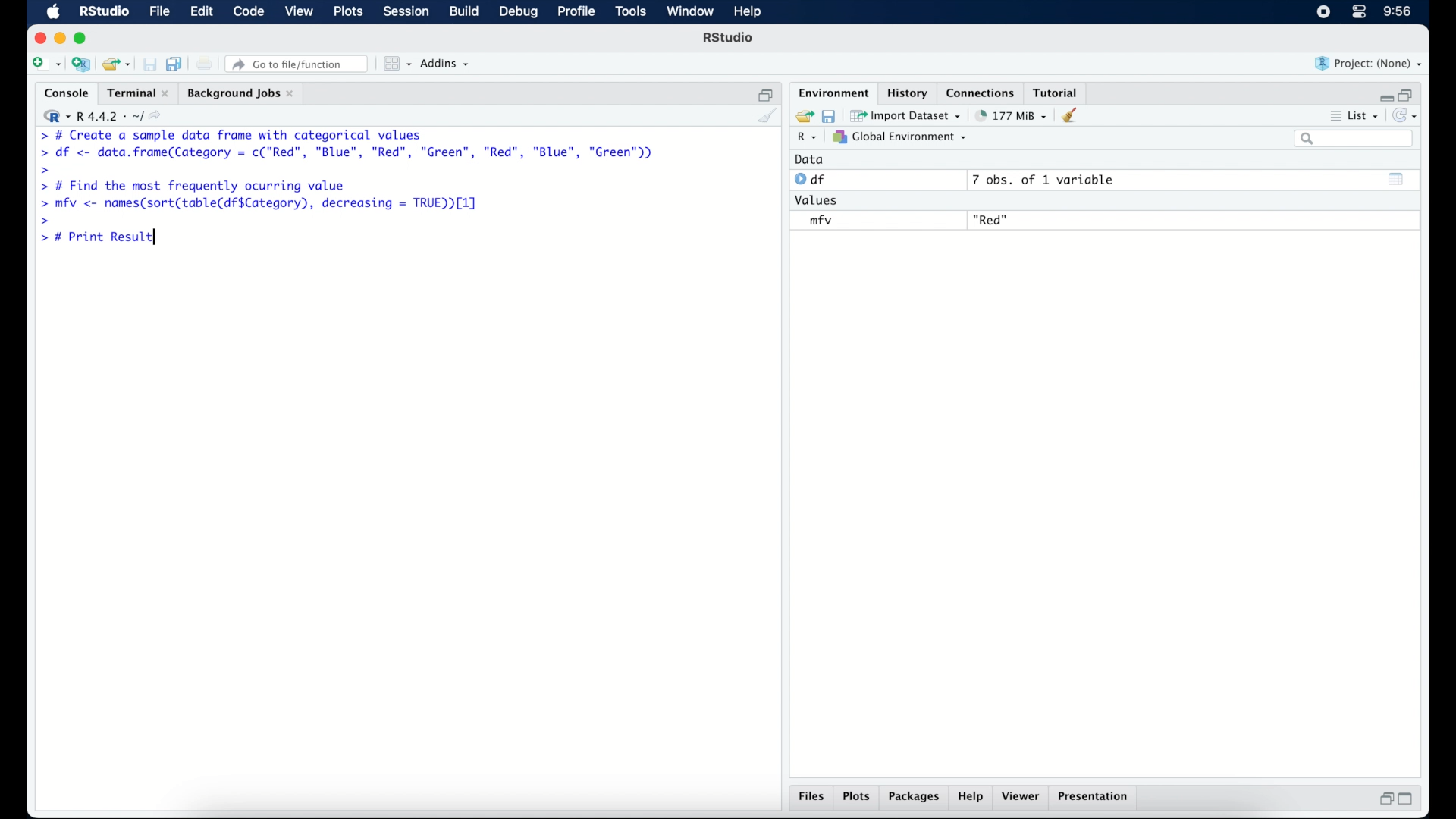 Image resolution: width=1456 pixels, height=819 pixels. Describe the element at coordinates (907, 115) in the screenshot. I see `import dataset` at that location.